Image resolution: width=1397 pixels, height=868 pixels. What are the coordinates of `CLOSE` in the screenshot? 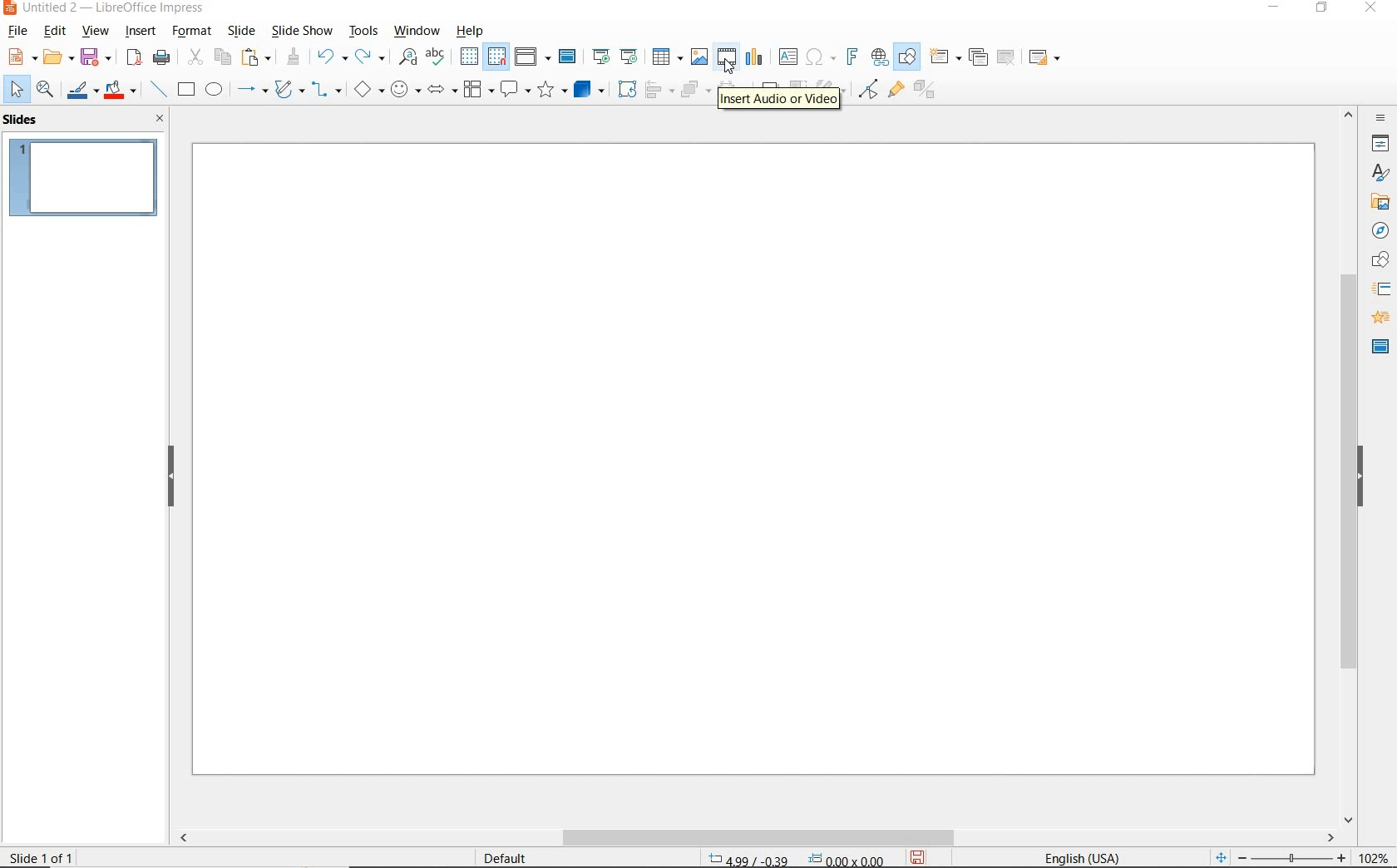 It's located at (160, 119).